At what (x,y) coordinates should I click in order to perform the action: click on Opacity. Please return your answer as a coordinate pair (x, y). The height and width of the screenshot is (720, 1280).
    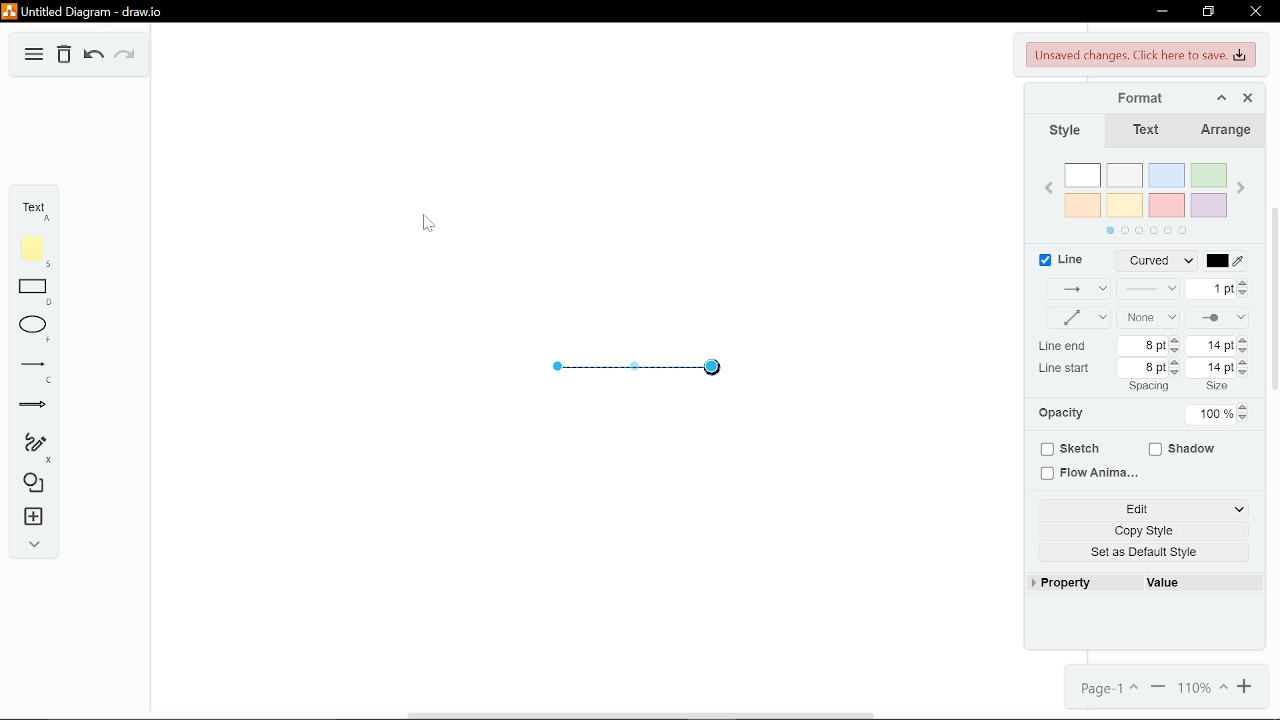
    Looking at the image, I should click on (1069, 415).